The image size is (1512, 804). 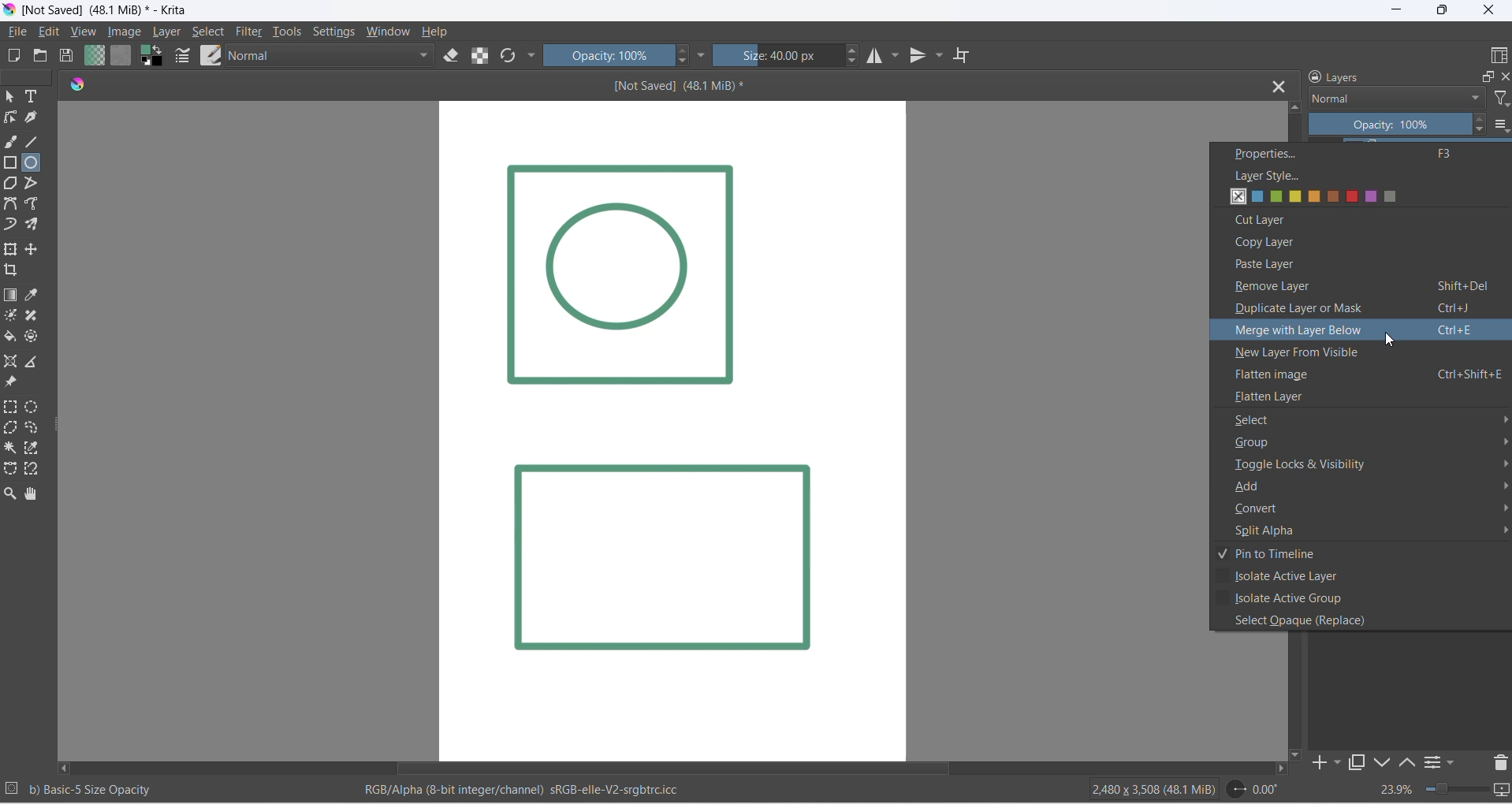 What do you see at coordinates (35, 118) in the screenshot?
I see `calligraphy tool` at bounding box center [35, 118].